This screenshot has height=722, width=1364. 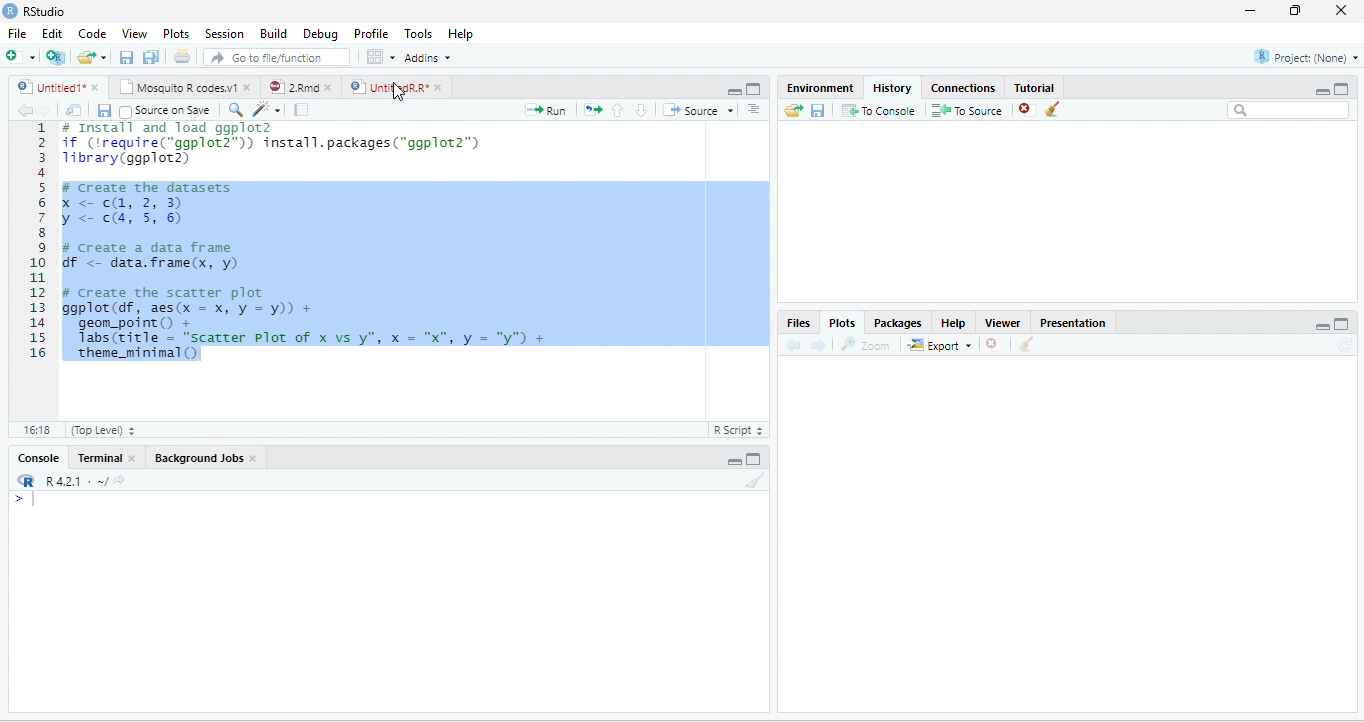 What do you see at coordinates (546, 110) in the screenshot?
I see `Run` at bounding box center [546, 110].